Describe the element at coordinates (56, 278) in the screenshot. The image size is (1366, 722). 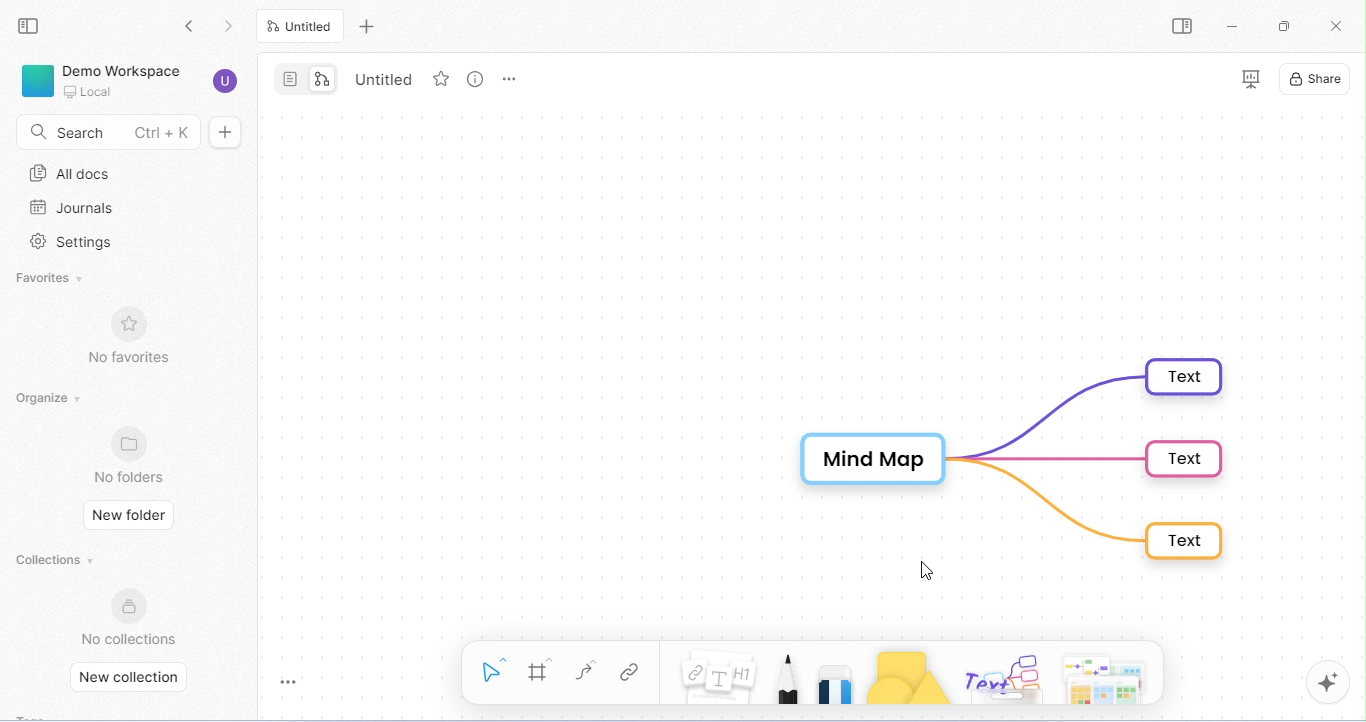
I see `favorites` at that location.